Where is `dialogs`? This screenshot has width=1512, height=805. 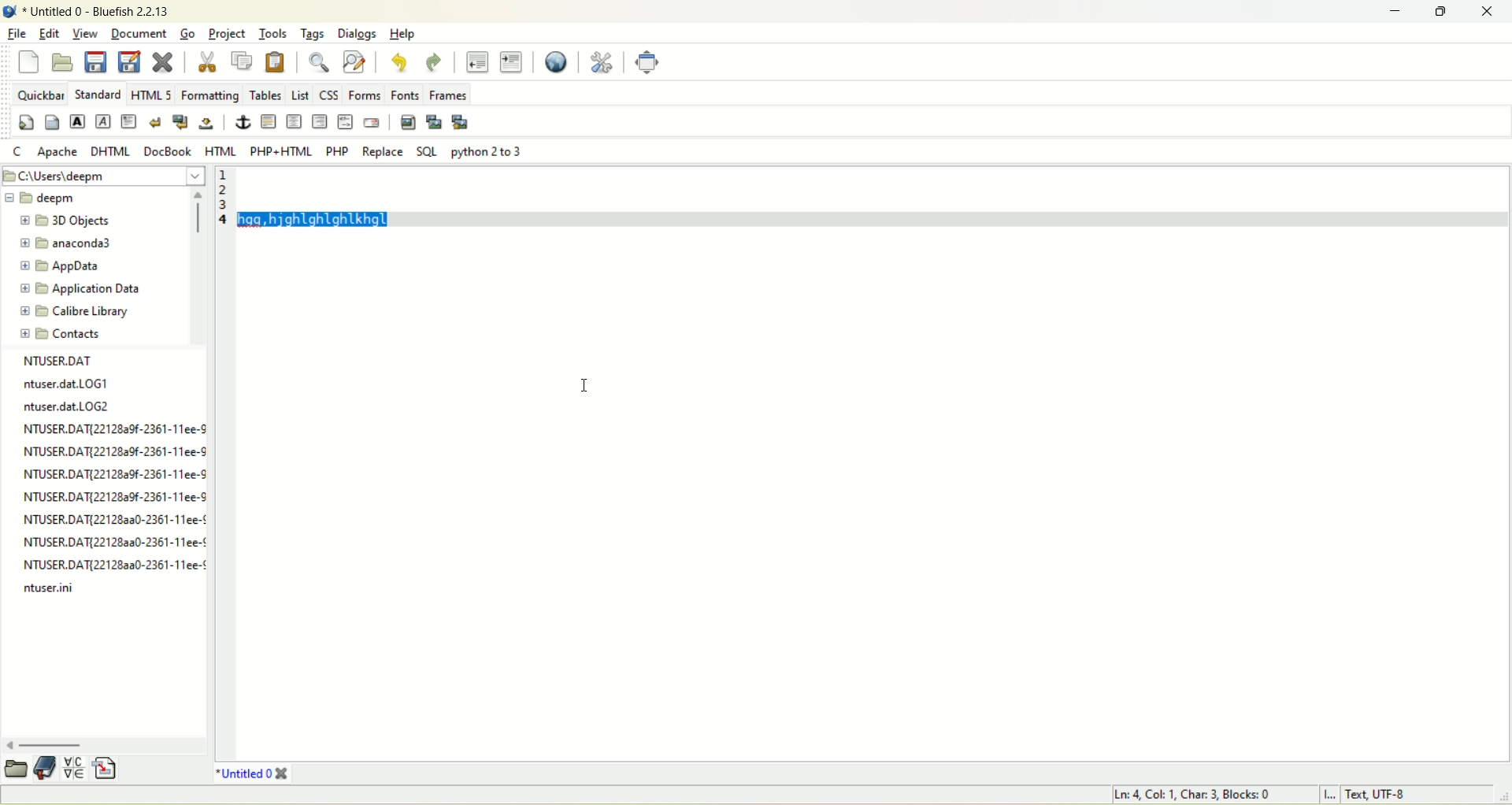 dialogs is located at coordinates (358, 35).